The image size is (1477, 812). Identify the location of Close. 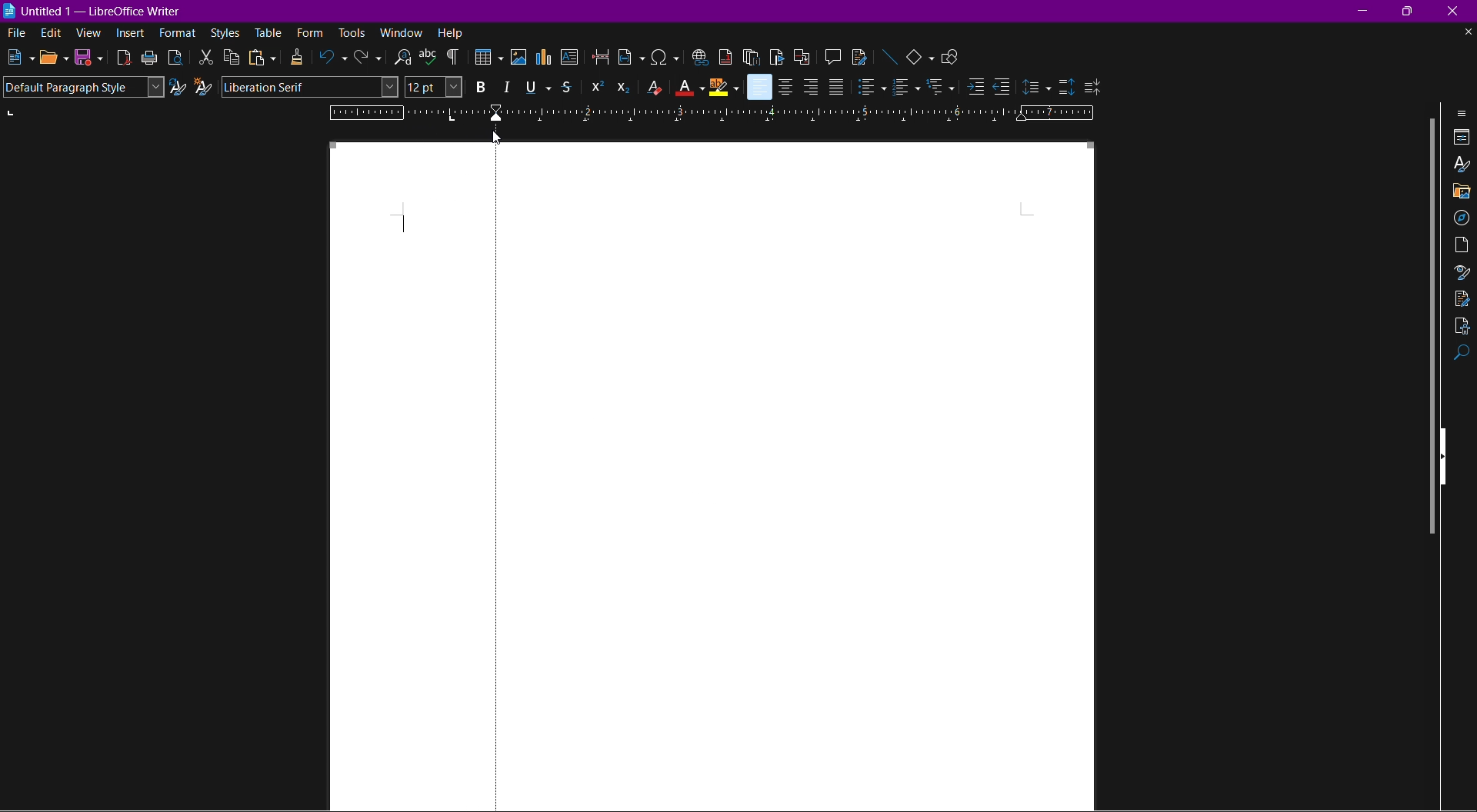
(1459, 11).